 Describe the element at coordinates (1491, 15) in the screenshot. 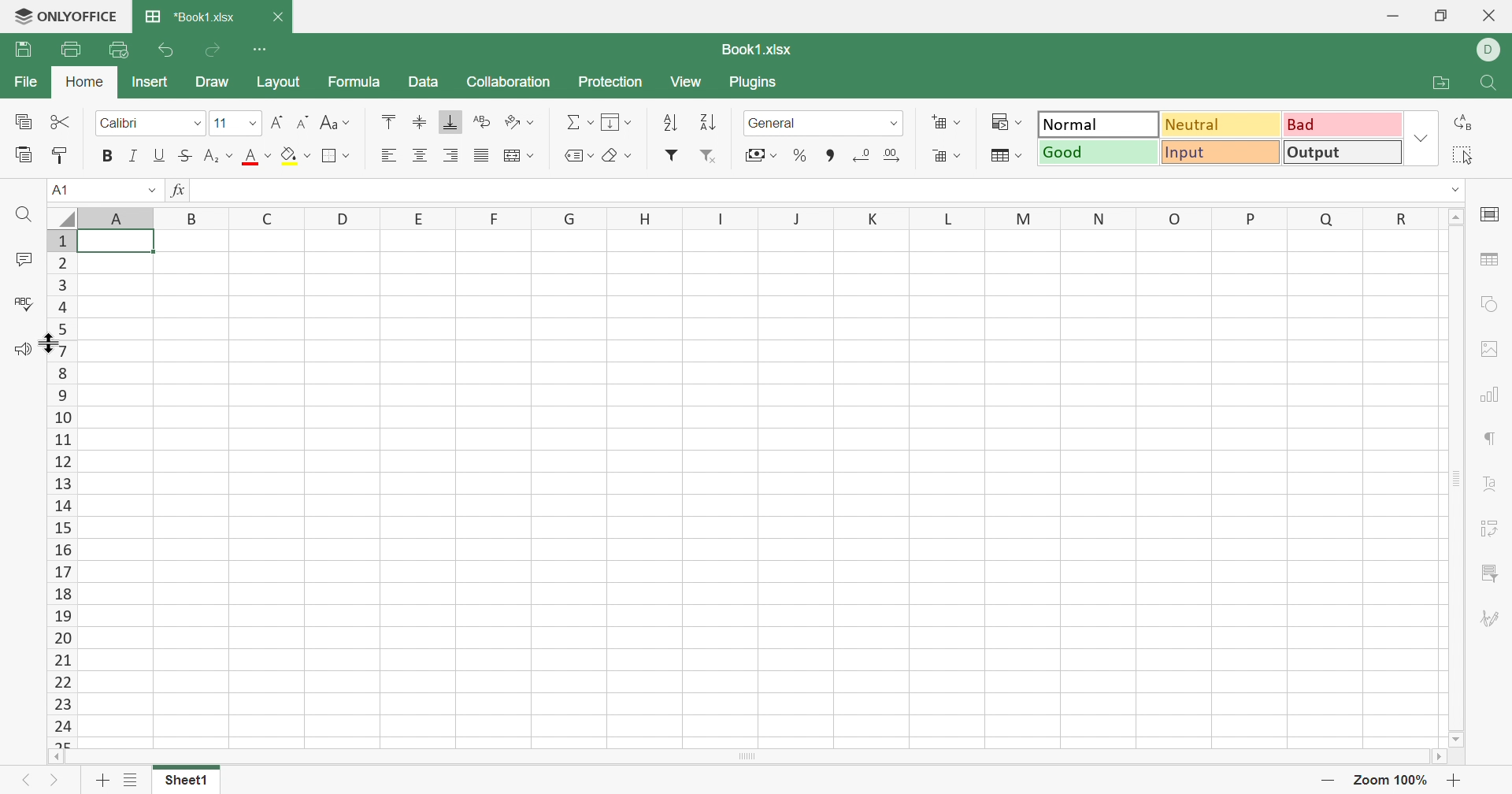

I see `Close` at that location.